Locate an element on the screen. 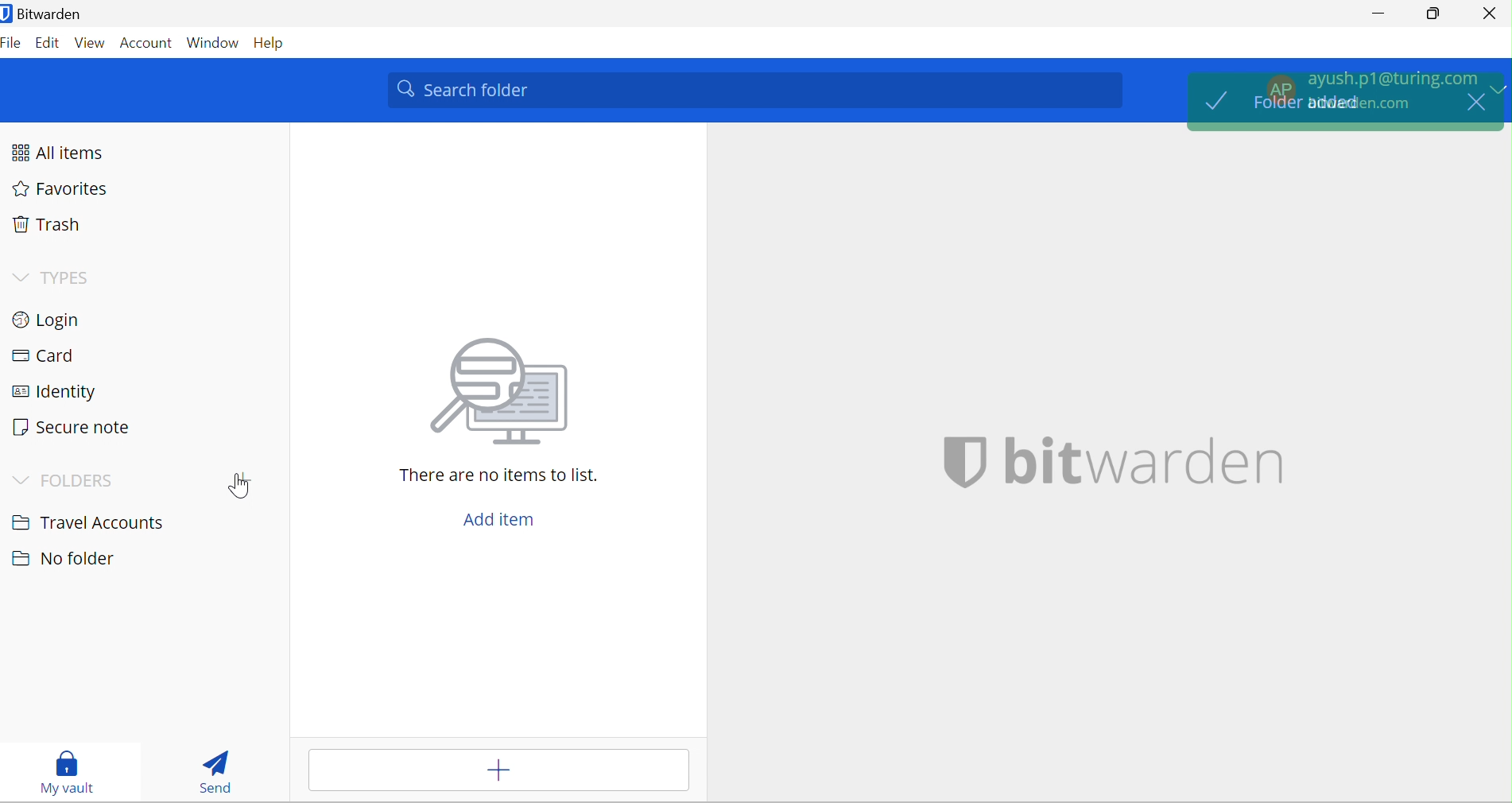 This screenshot has width=1512, height=803. Card is located at coordinates (49, 355).